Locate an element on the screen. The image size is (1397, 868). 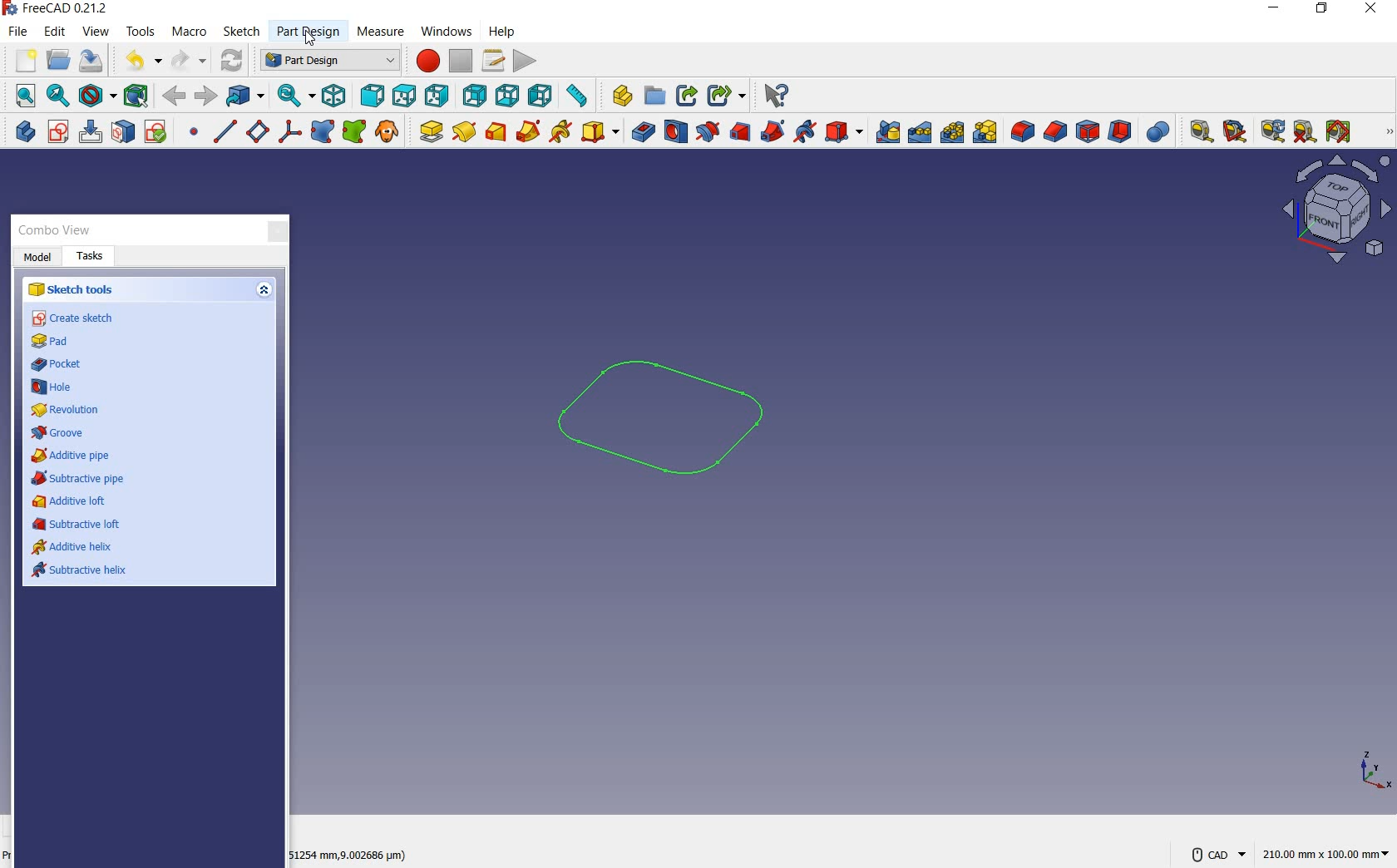
new is located at coordinates (21, 59).